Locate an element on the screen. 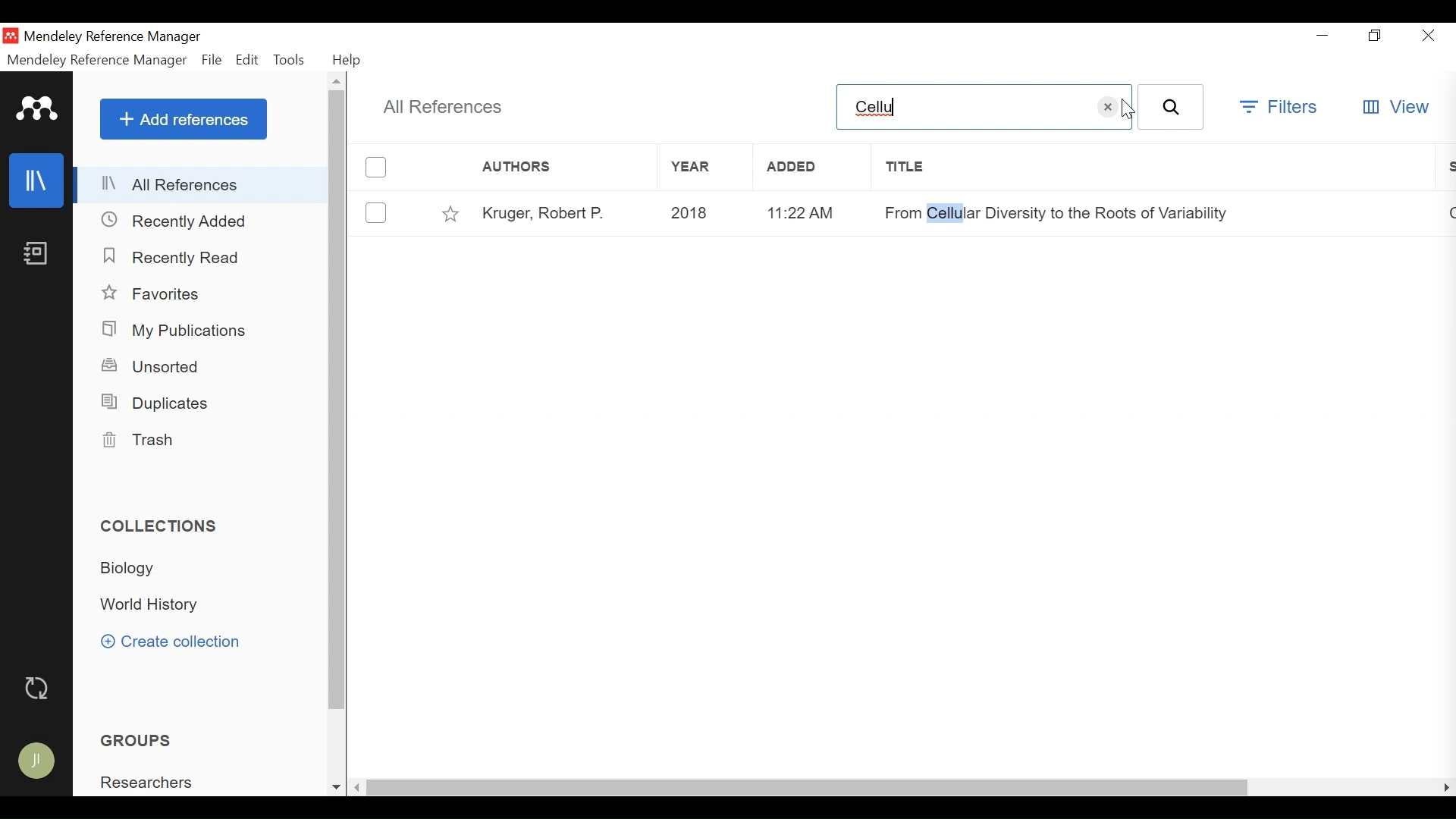 The image size is (1456, 819). User is located at coordinates (37, 762).